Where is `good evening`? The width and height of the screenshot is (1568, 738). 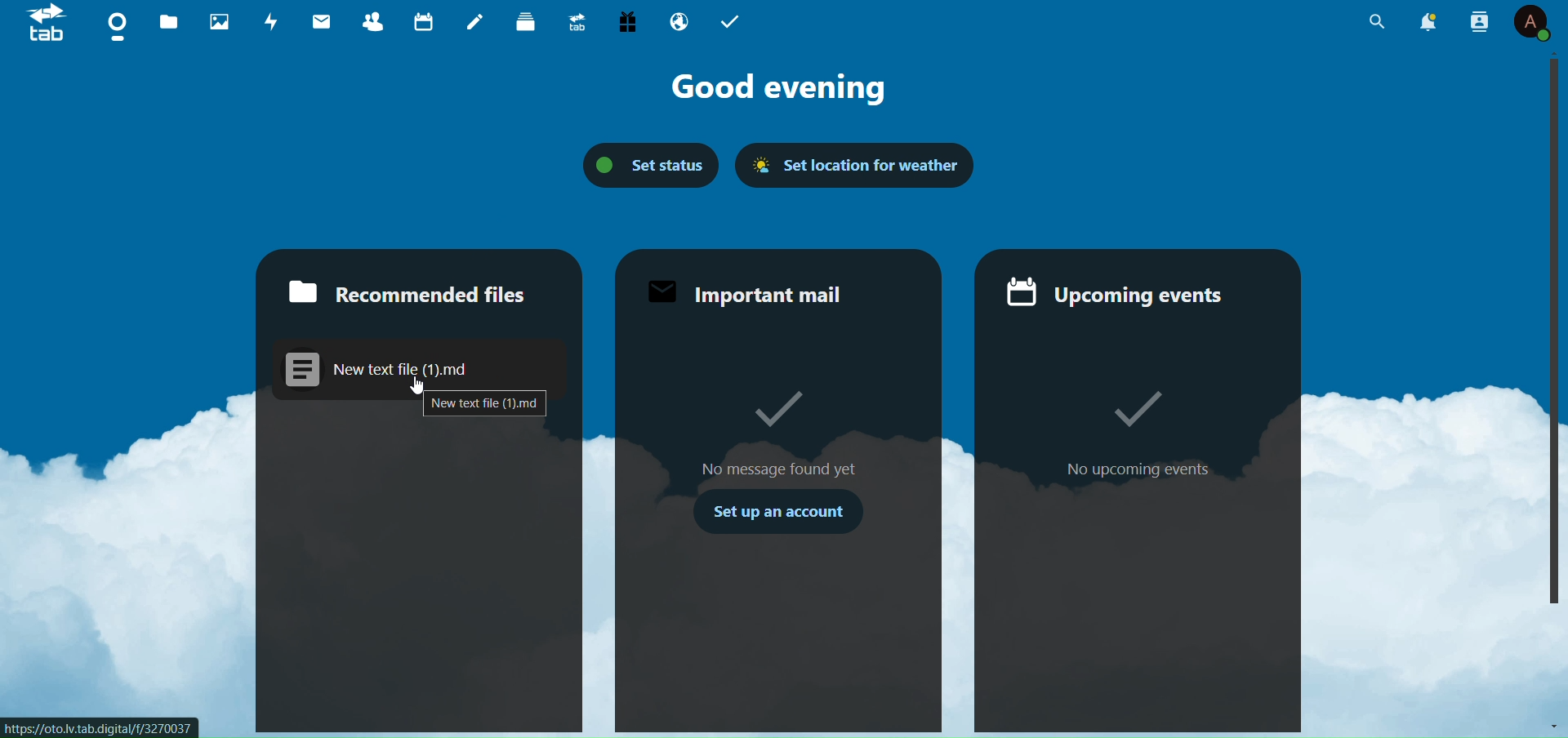
good evening is located at coordinates (790, 91).